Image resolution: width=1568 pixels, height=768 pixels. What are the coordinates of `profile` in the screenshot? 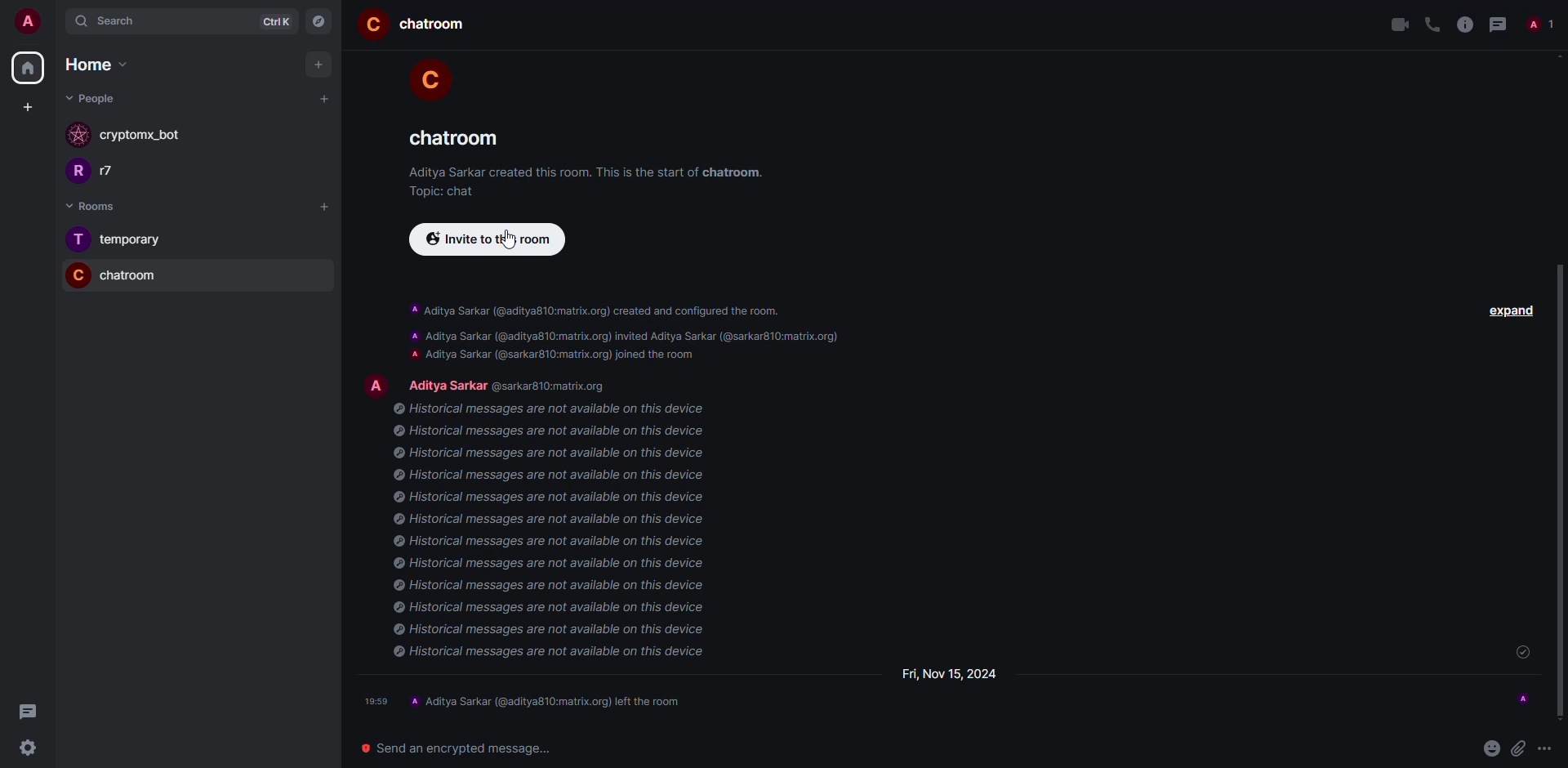 It's located at (74, 275).